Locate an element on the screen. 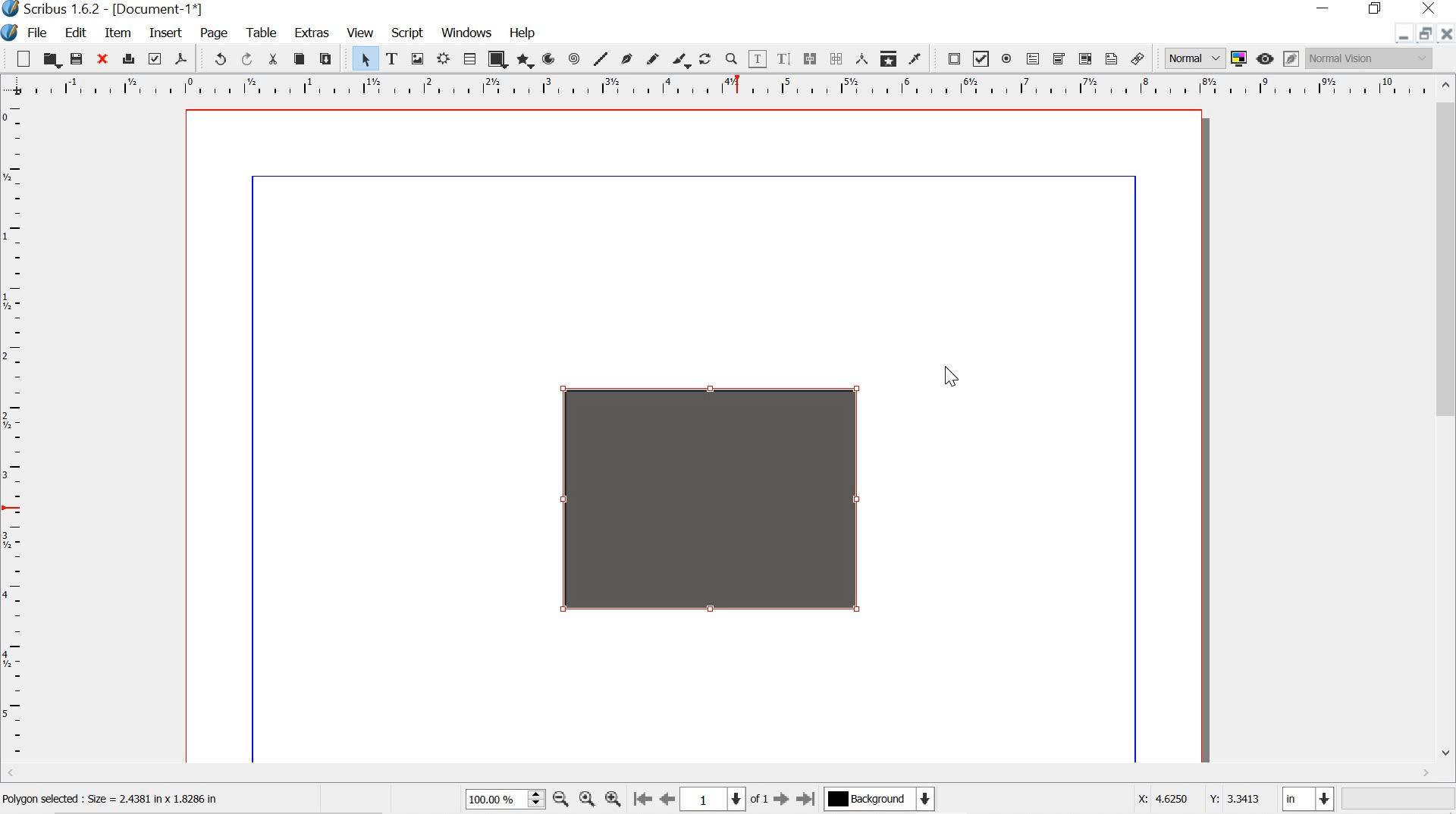  minimize is located at coordinates (1323, 8).